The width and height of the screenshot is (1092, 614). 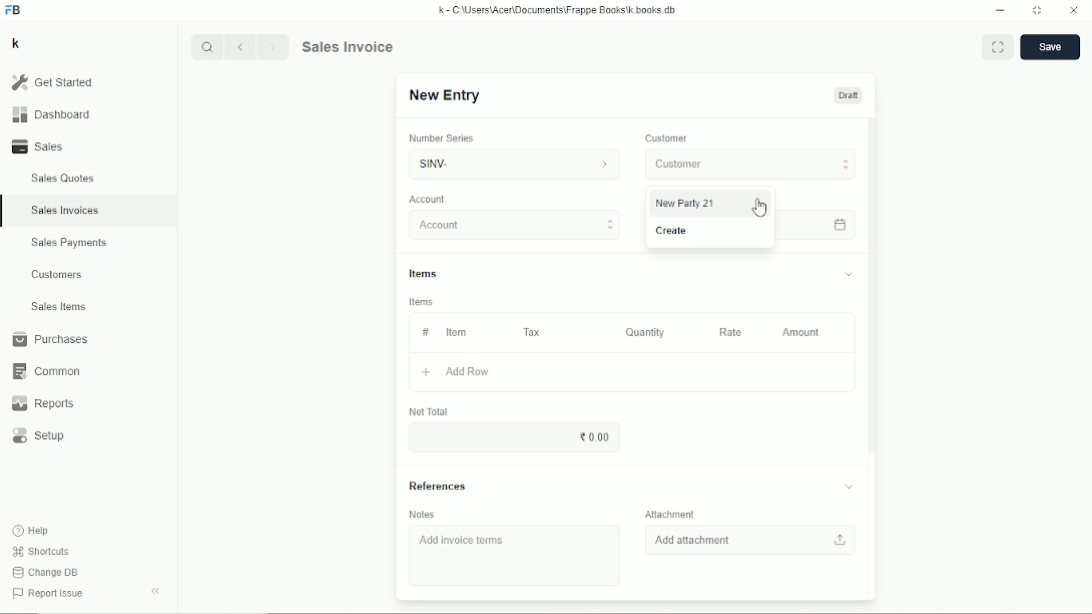 What do you see at coordinates (51, 114) in the screenshot?
I see `Dashboard` at bounding box center [51, 114].